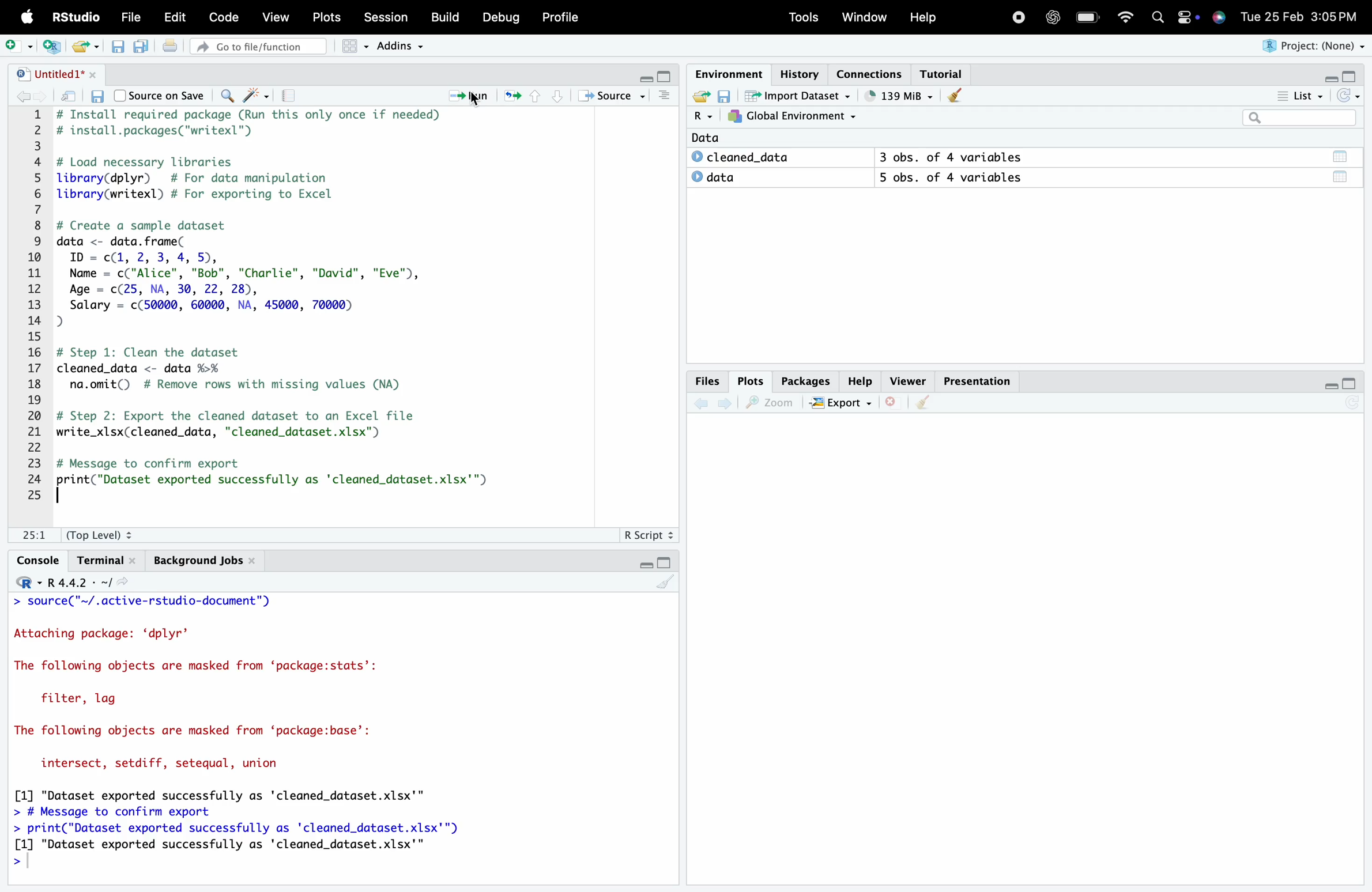 The height and width of the screenshot is (892, 1372). I want to click on Project (None), so click(1315, 47).